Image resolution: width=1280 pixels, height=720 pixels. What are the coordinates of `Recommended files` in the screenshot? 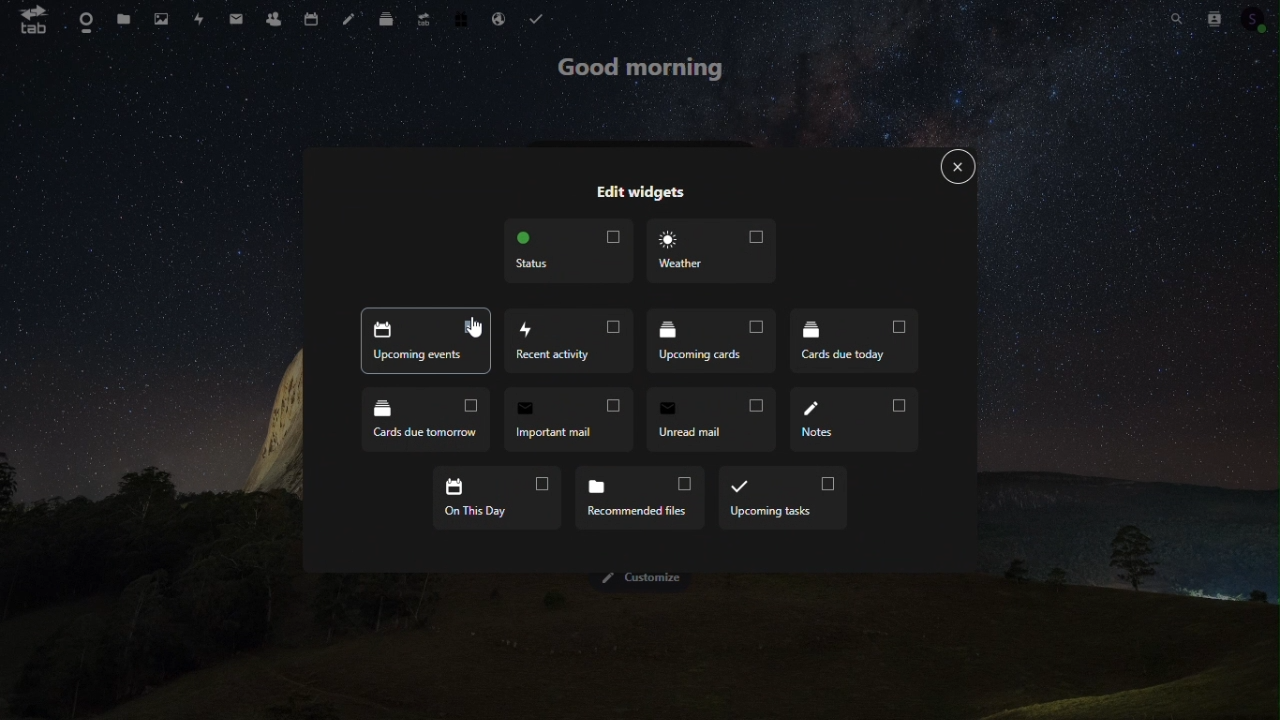 It's located at (639, 494).